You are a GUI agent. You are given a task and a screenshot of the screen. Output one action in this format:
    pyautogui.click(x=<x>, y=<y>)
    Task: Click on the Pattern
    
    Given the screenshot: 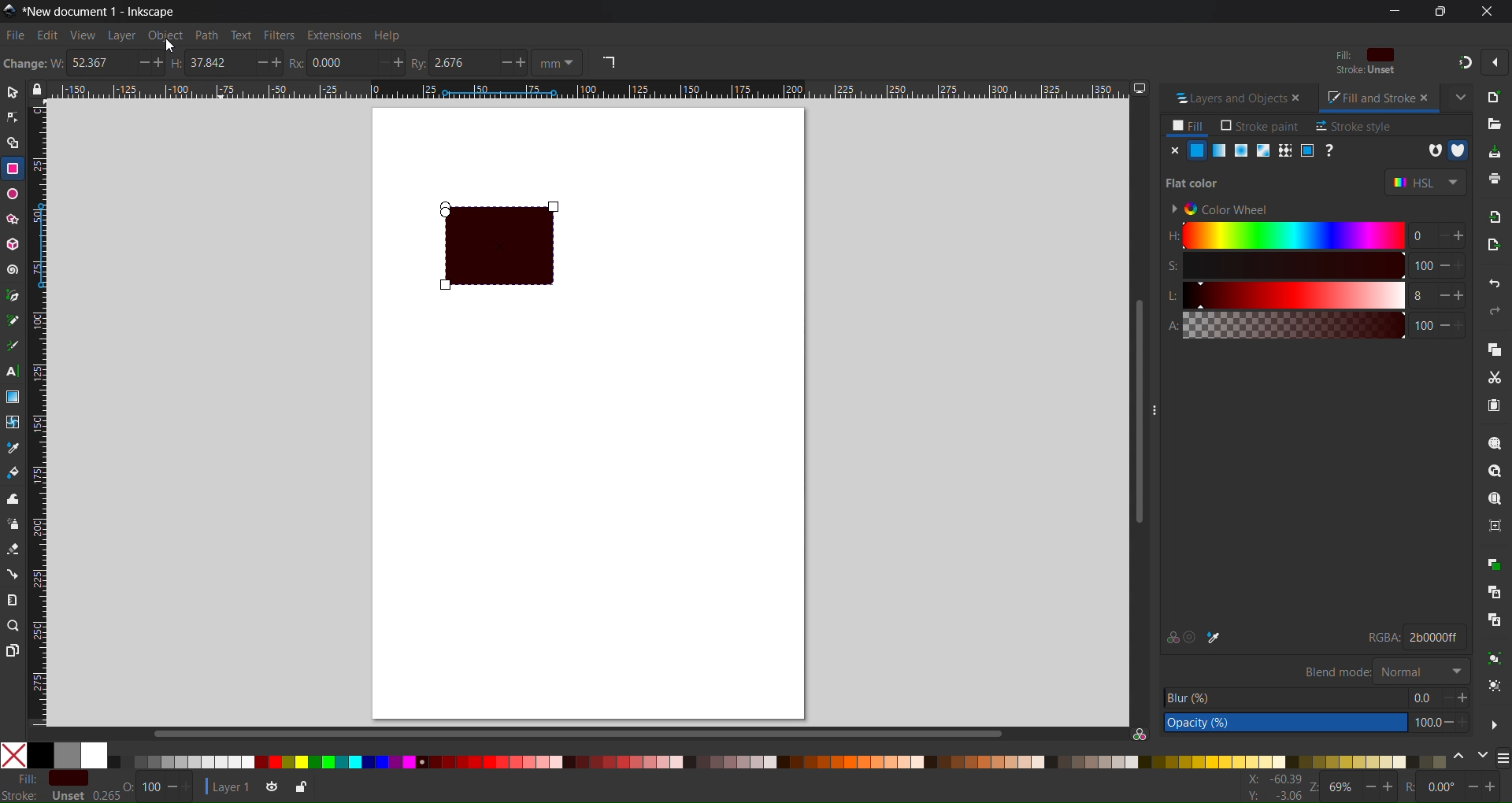 What is the action you would take?
    pyautogui.click(x=1284, y=150)
    